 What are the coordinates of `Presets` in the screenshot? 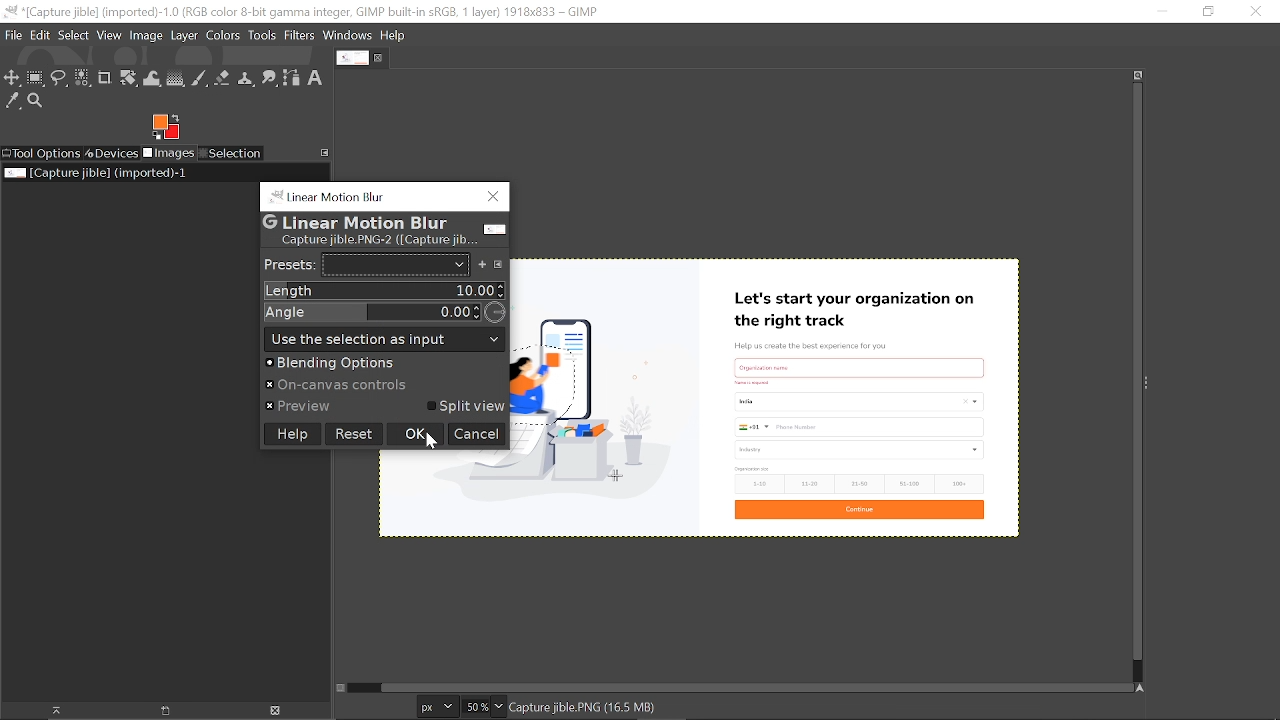 It's located at (287, 265).